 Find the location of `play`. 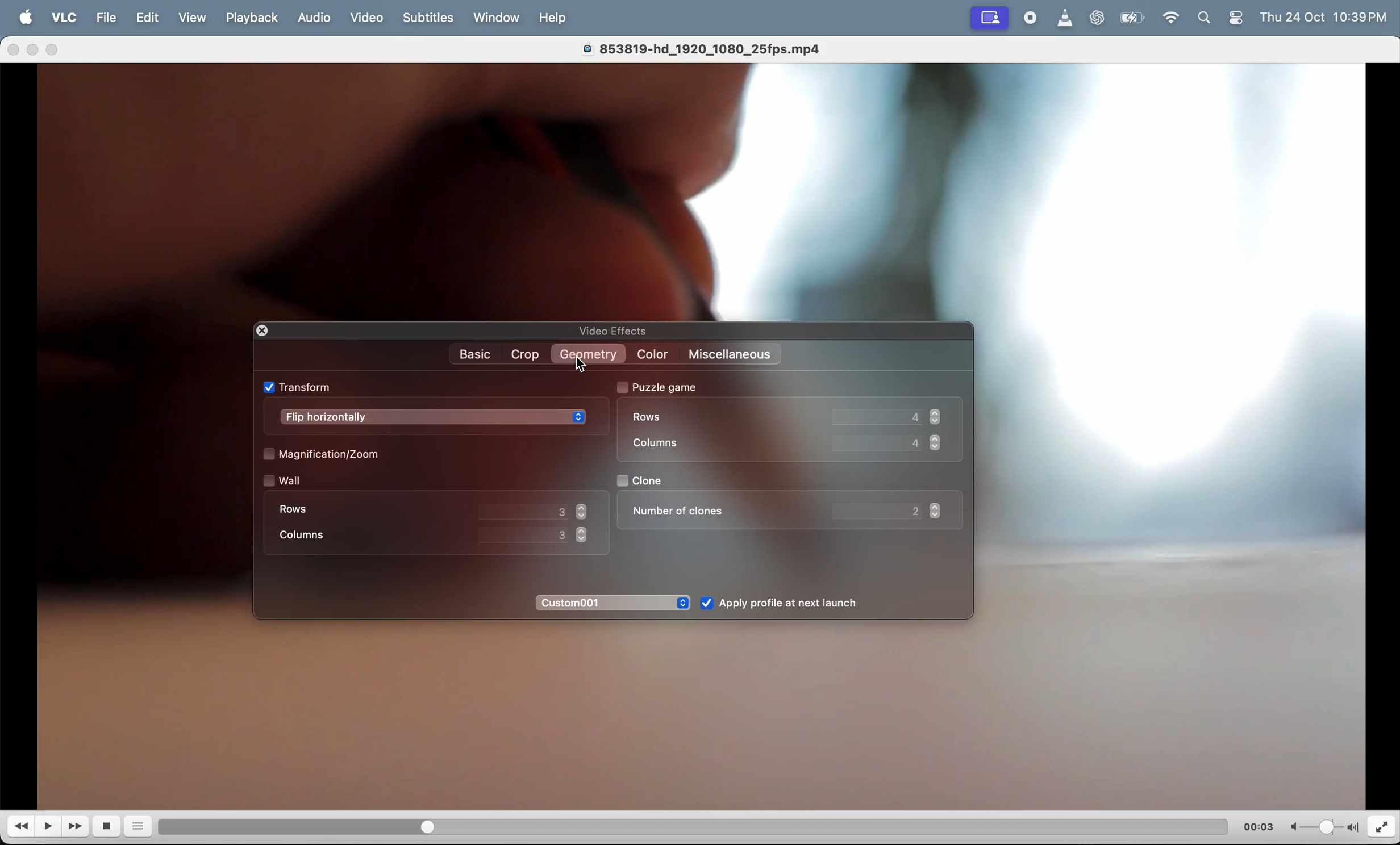

play is located at coordinates (50, 826).